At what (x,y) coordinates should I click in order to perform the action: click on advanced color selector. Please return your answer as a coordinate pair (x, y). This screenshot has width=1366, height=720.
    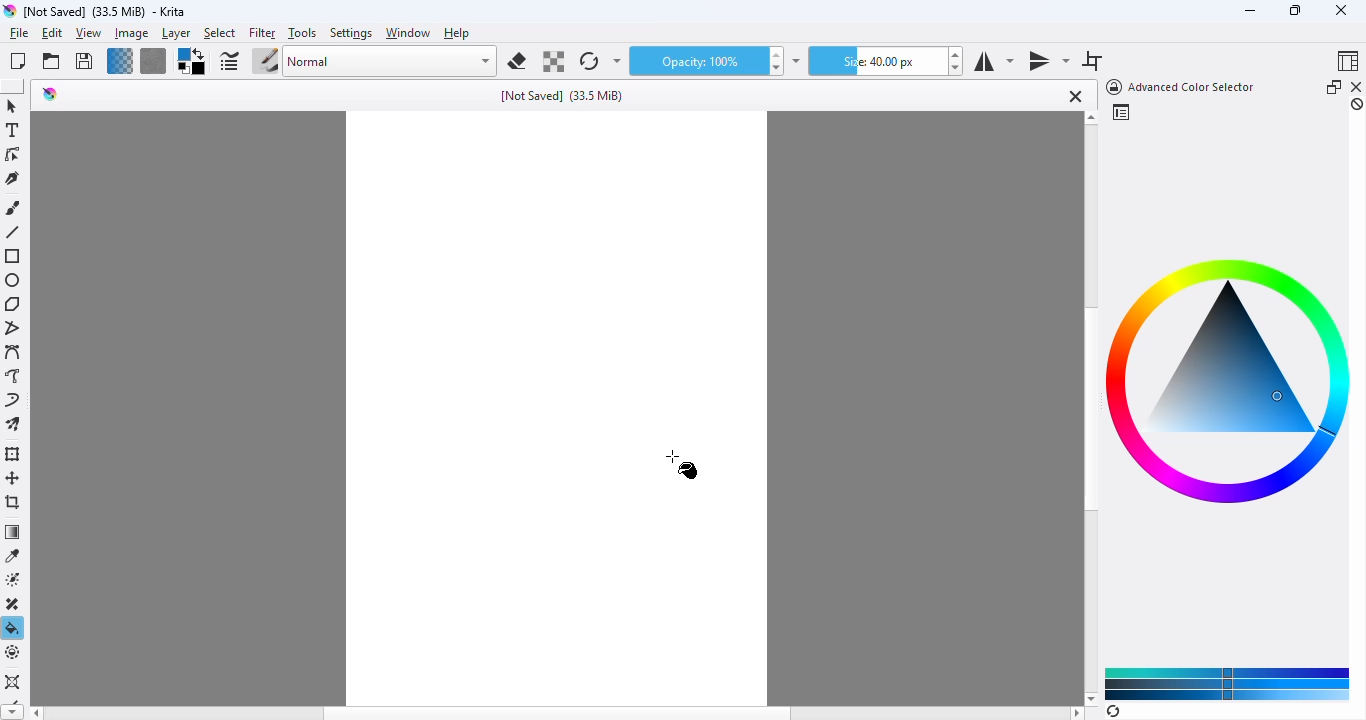
    Looking at the image, I should click on (1178, 87).